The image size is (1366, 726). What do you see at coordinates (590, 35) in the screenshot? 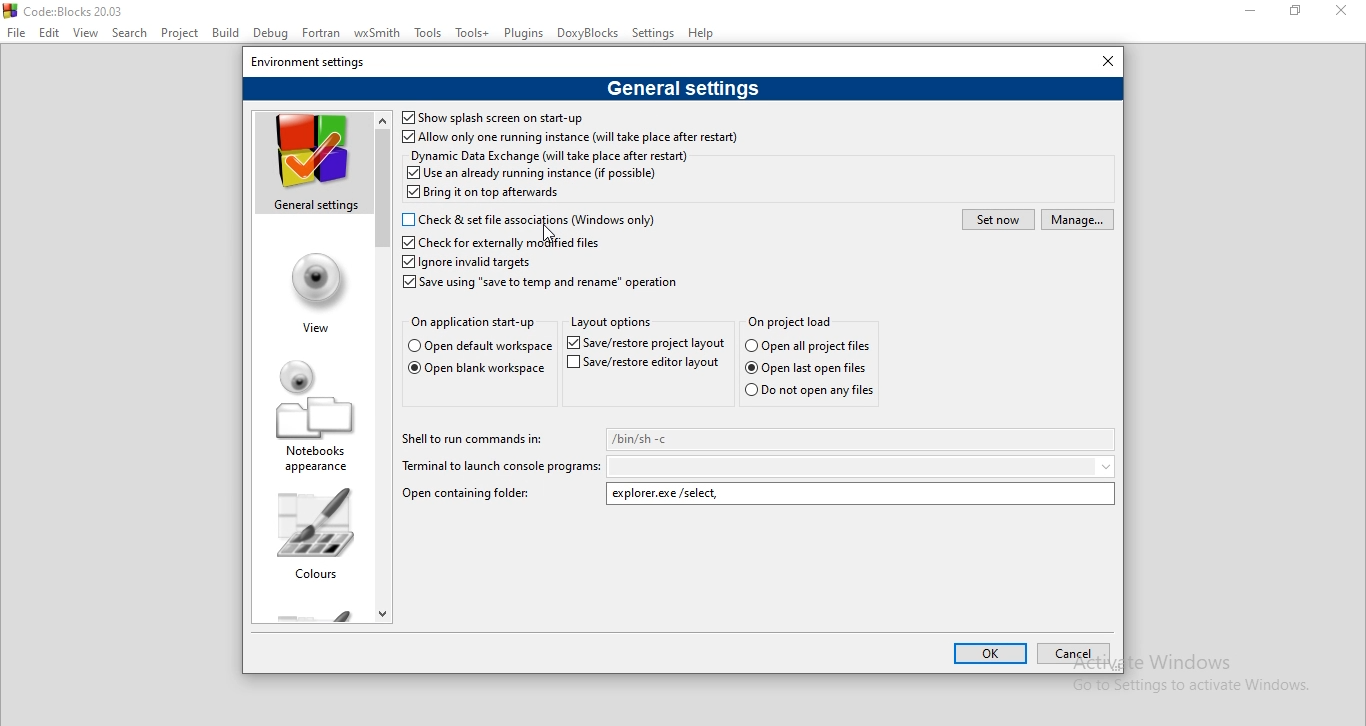
I see `DoxyBlocks` at bounding box center [590, 35].